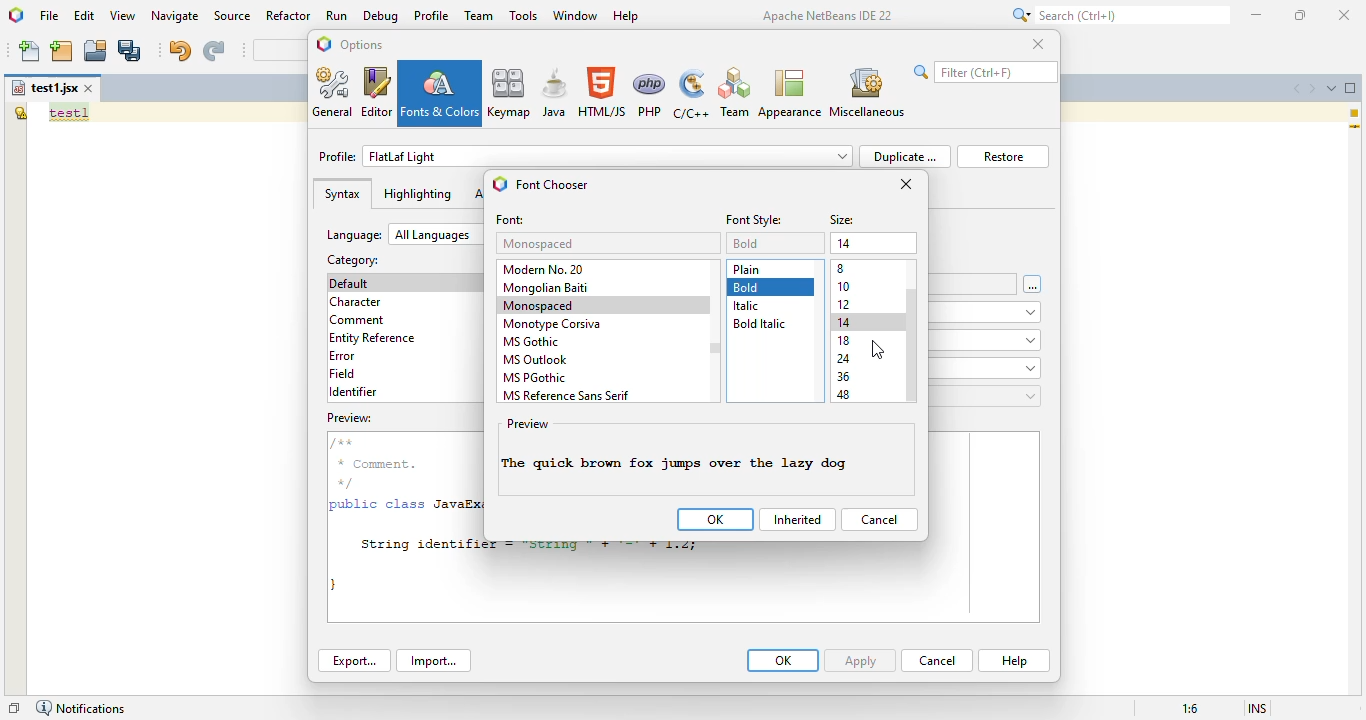  I want to click on file, so click(49, 15).